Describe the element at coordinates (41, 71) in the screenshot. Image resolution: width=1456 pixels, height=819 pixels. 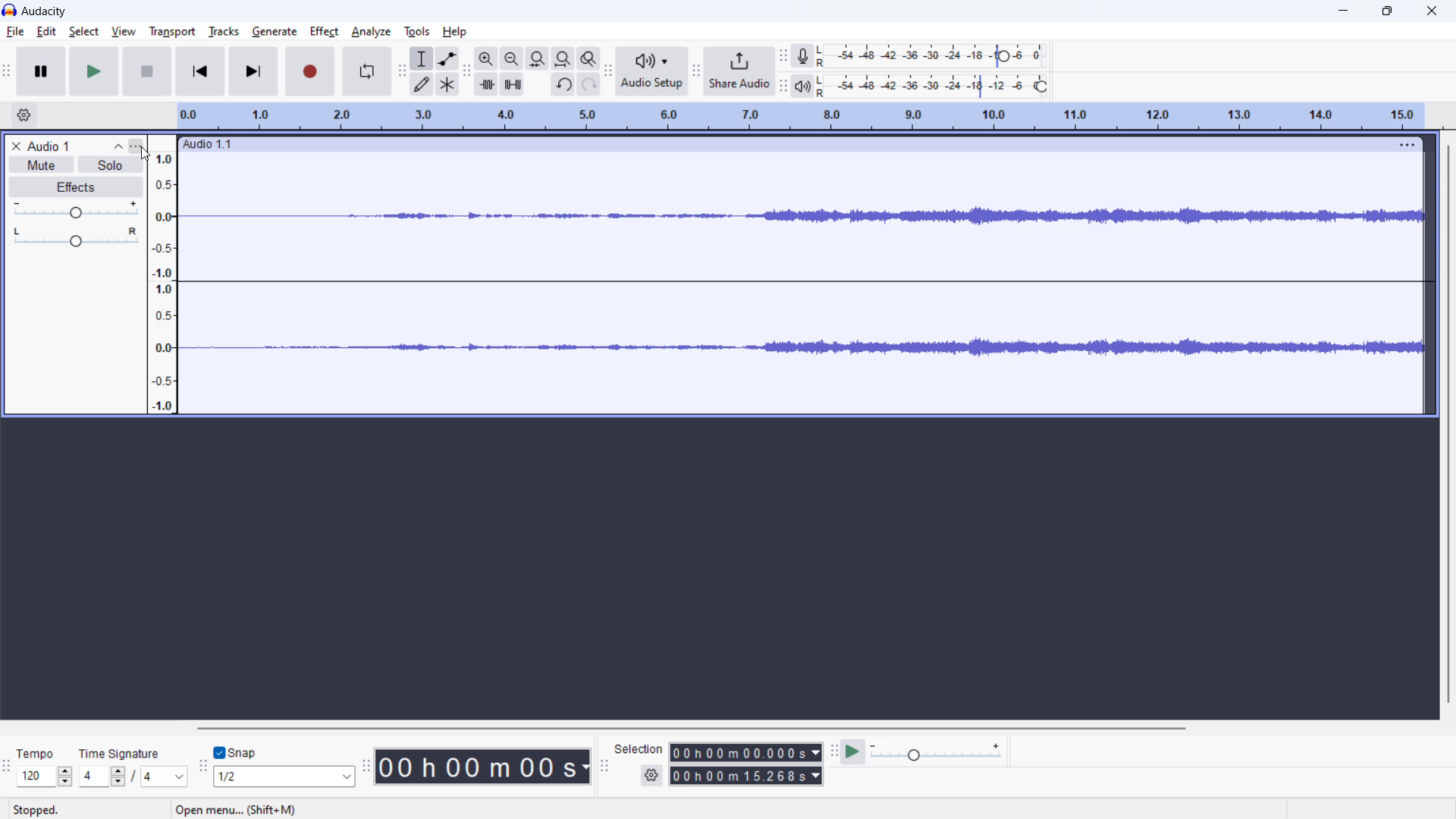
I see `pause` at that location.